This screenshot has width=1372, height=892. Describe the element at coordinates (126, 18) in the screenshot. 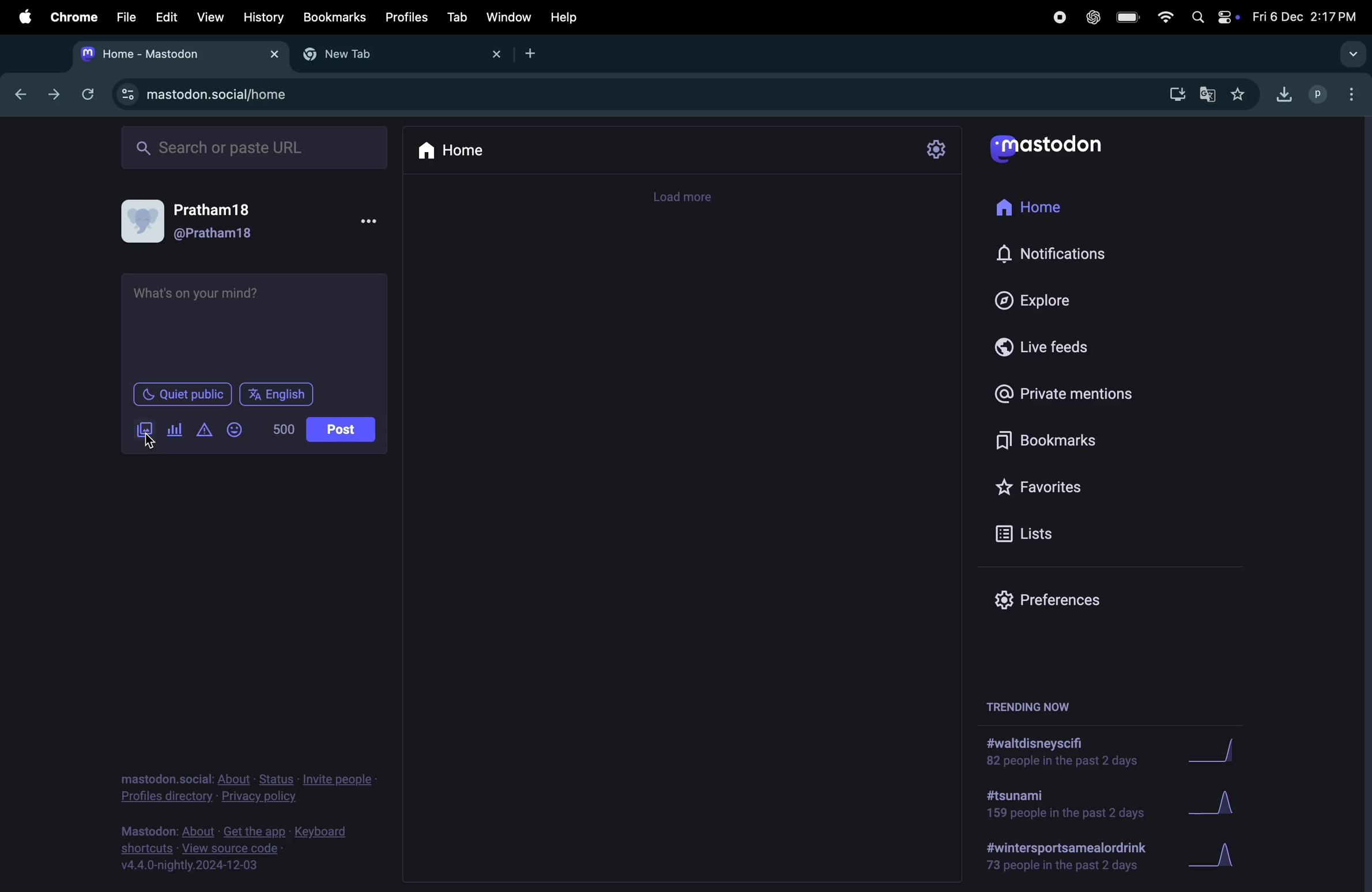

I see `file` at that location.